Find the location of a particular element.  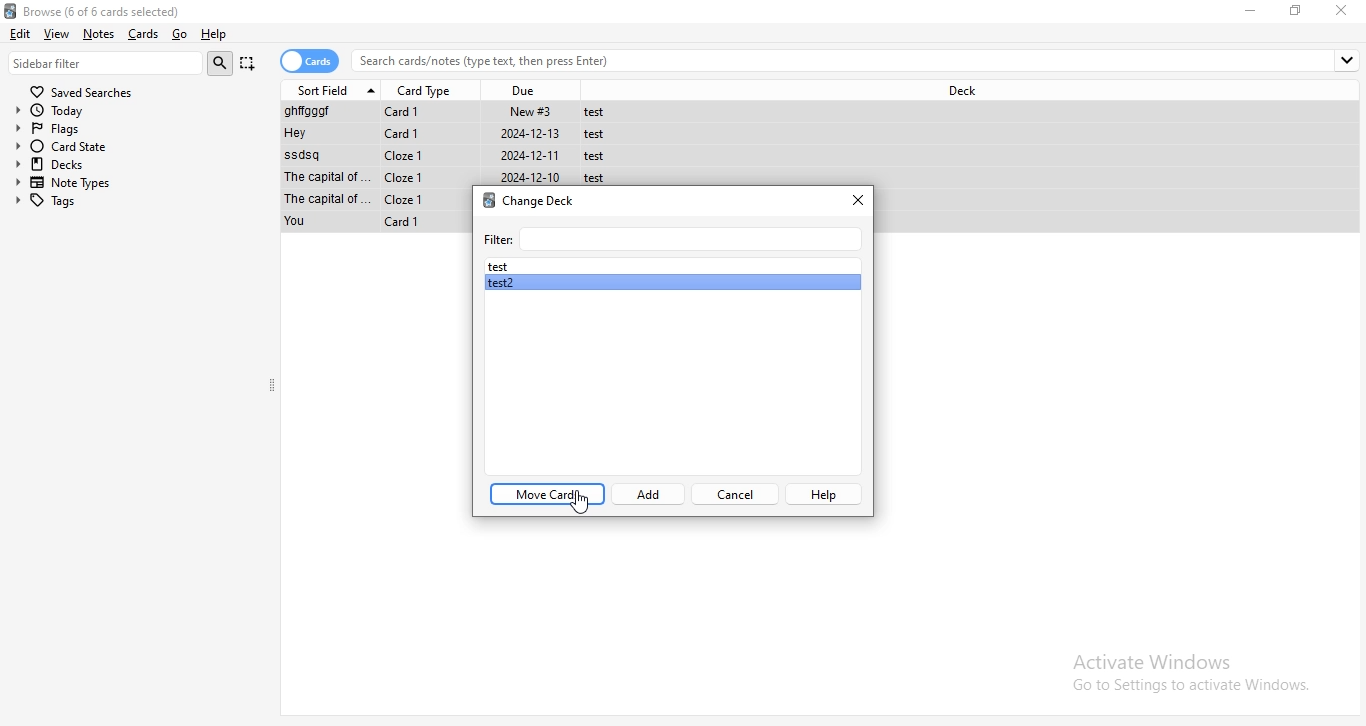

sort field is located at coordinates (334, 89).